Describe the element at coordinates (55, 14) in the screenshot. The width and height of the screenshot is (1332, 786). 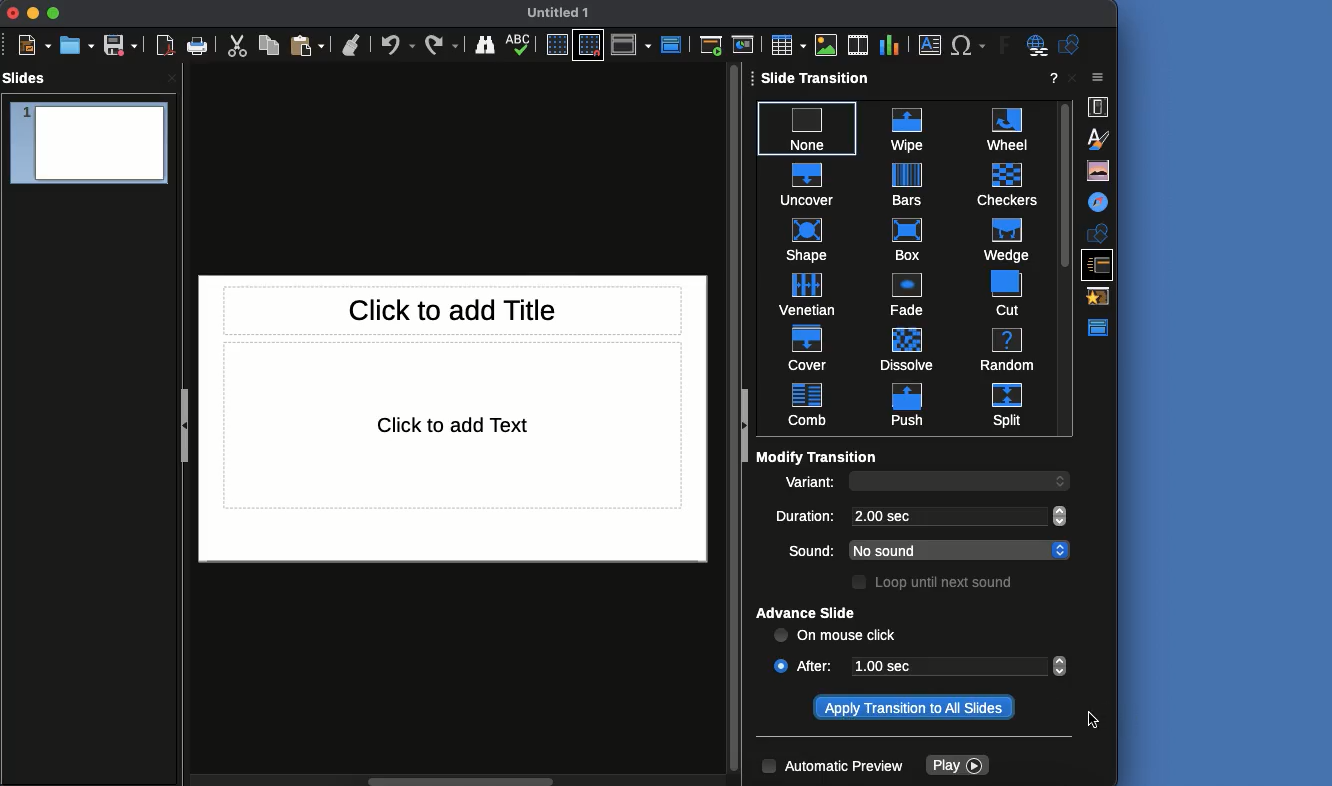
I see `Maximize` at that location.